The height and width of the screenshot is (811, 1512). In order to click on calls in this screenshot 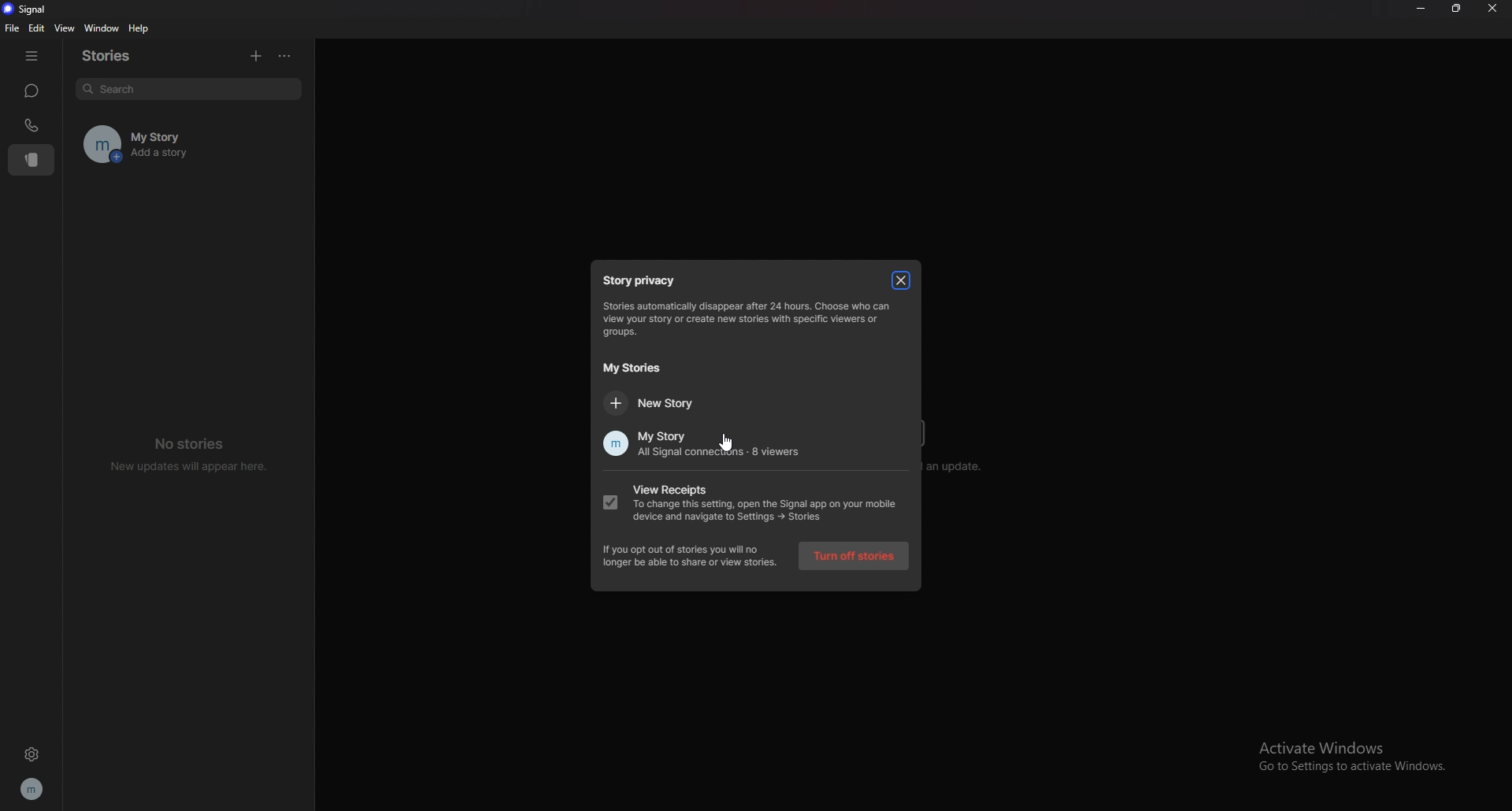, I will do `click(31, 125)`.